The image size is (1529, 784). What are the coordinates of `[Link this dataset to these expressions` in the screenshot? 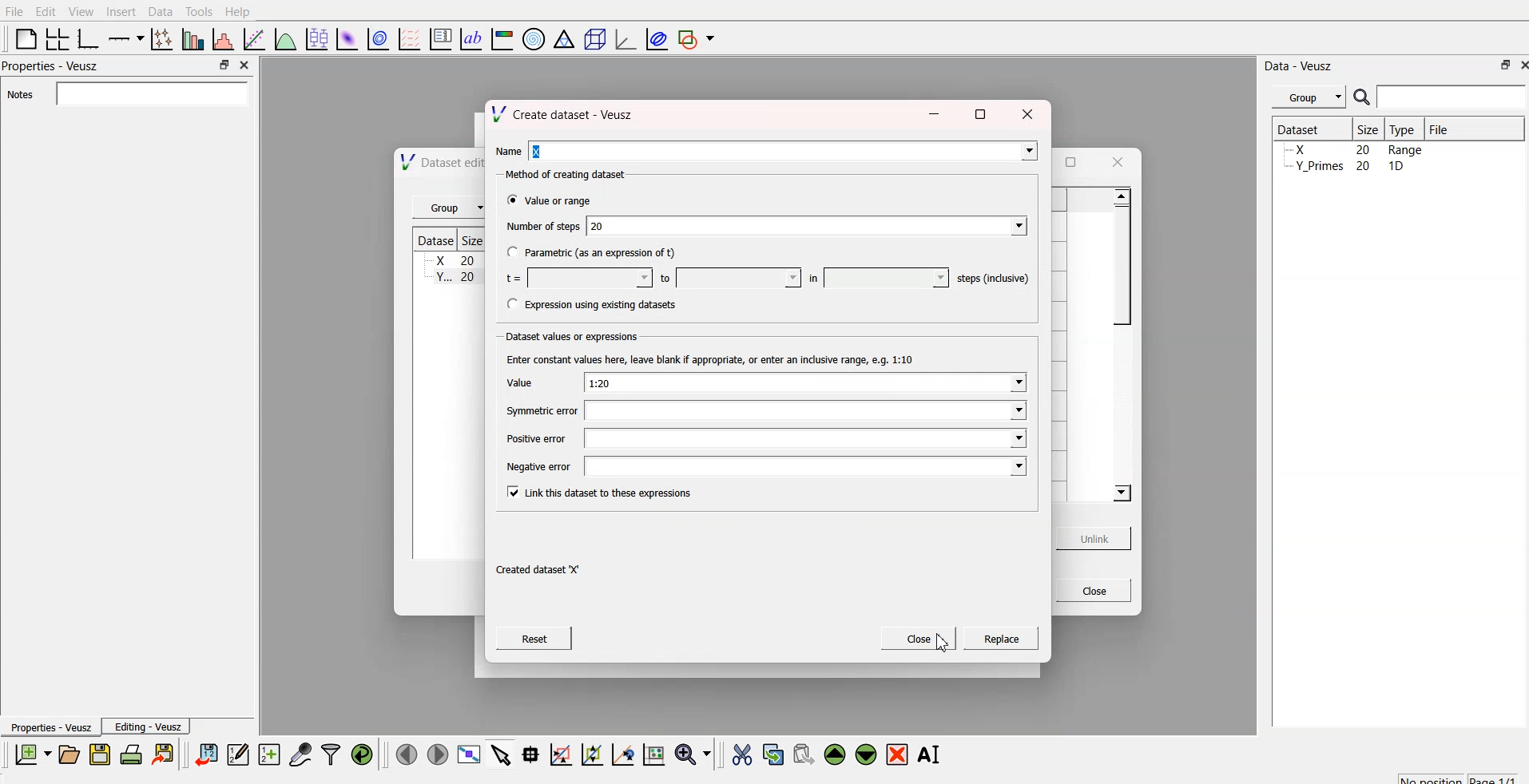 It's located at (603, 496).